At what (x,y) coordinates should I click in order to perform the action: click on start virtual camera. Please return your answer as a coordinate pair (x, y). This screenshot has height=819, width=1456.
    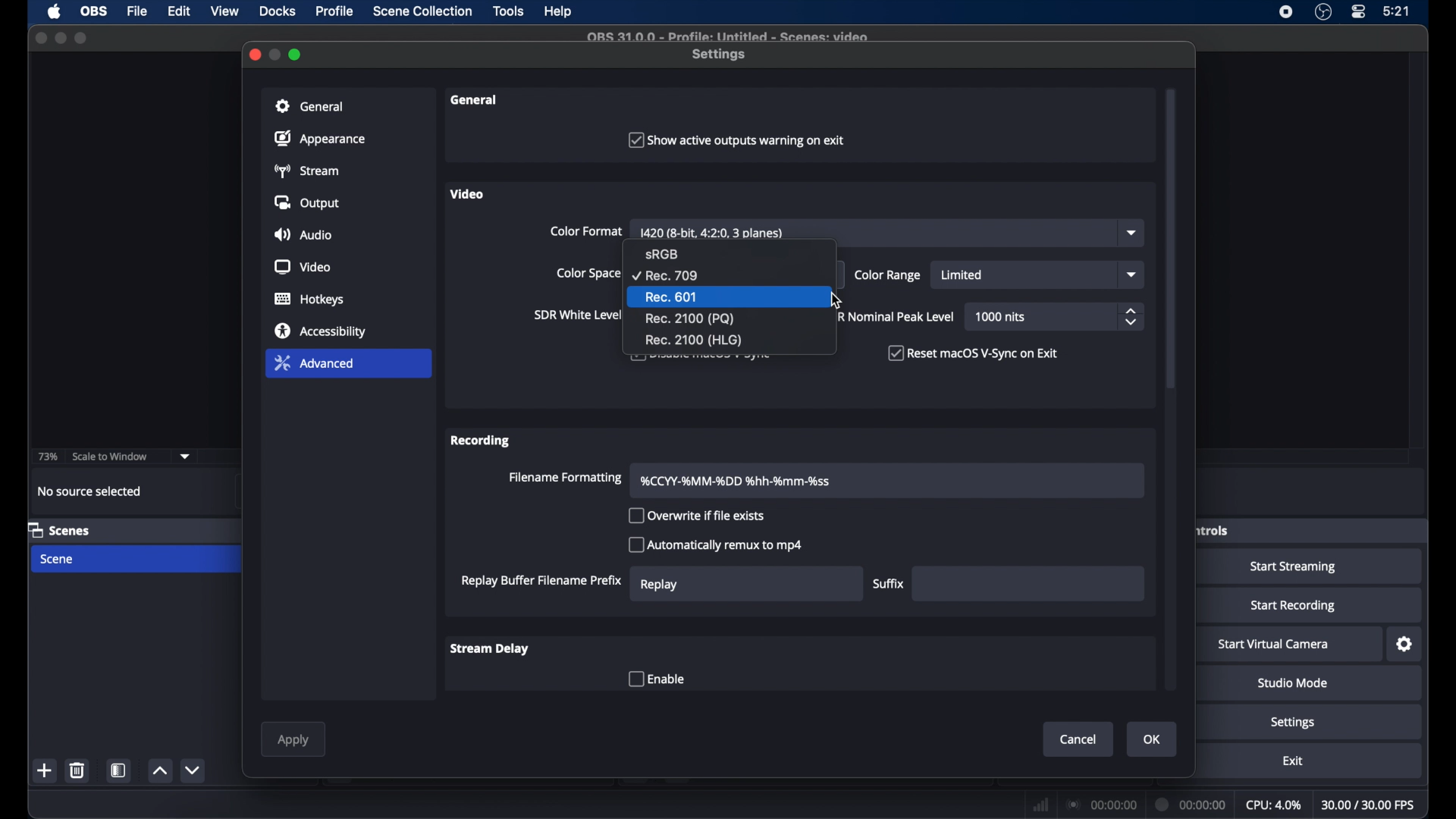
    Looking at the image, I should click on (1273, 645).